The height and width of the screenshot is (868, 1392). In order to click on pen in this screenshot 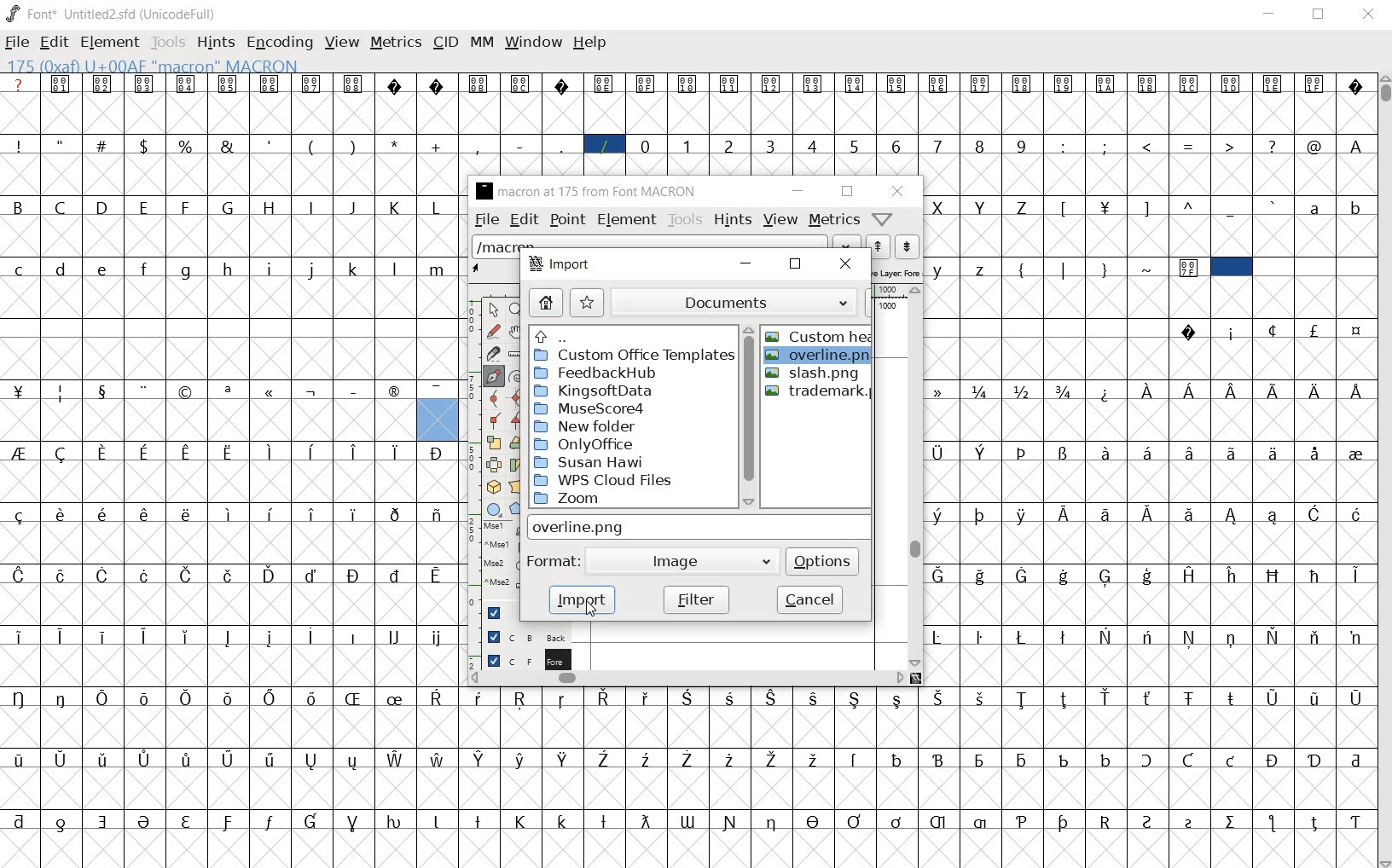, I will do `click(492, 376)`.